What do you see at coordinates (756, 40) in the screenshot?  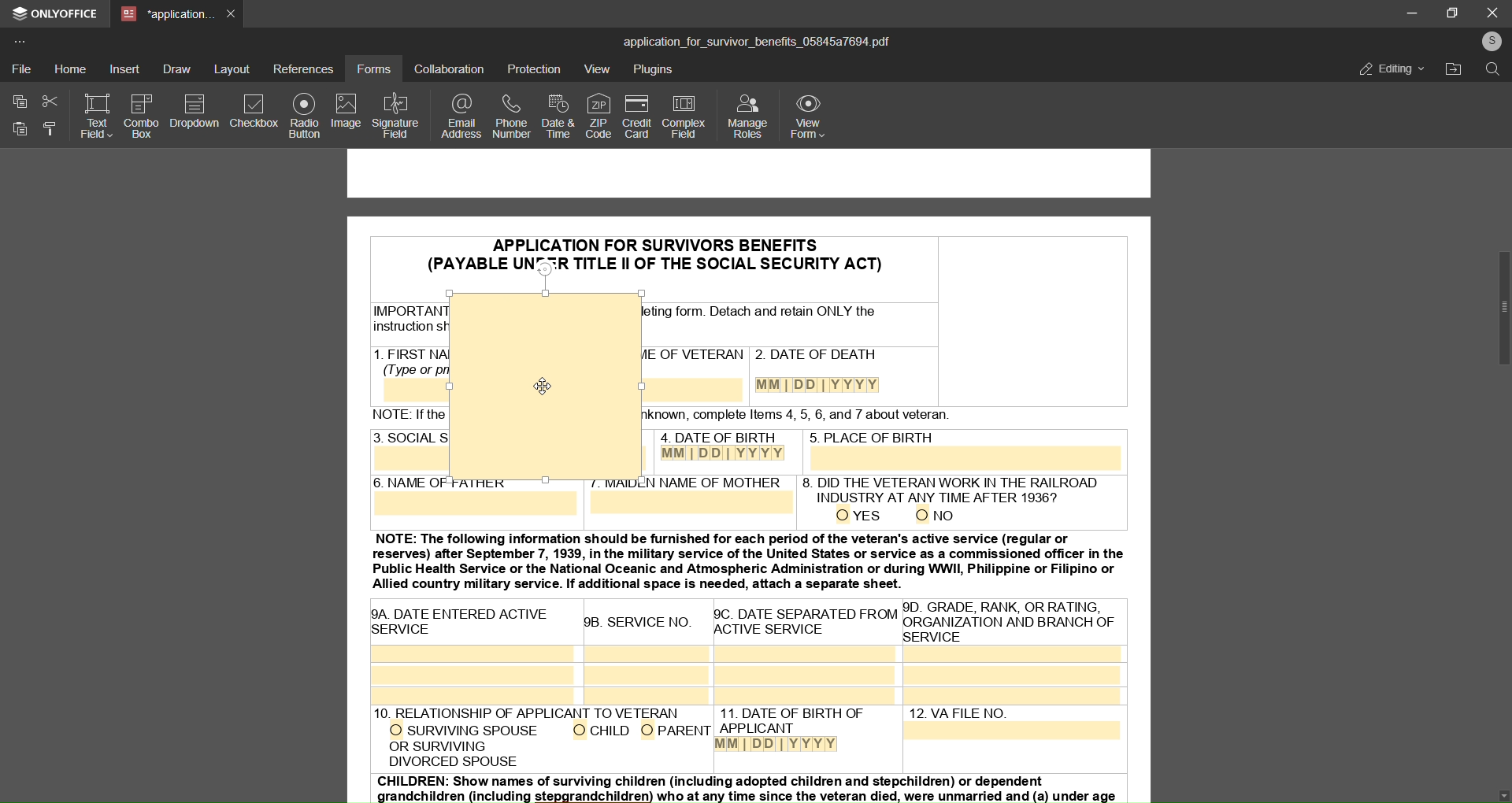 I see `title` at bounding box center [756, 40].